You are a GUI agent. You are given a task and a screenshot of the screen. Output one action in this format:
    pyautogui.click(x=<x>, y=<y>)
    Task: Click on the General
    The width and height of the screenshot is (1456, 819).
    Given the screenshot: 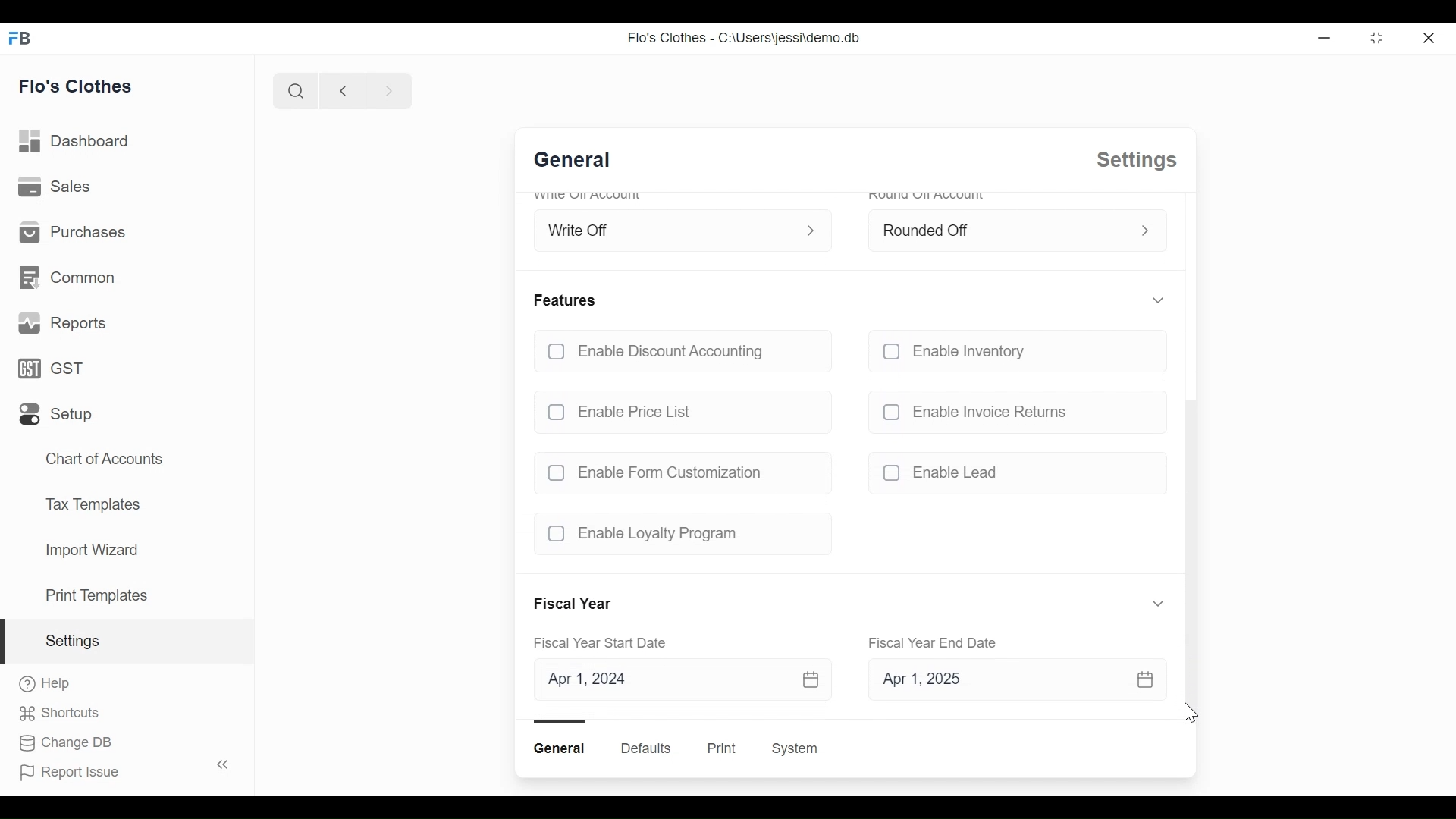 What is the action you would take?
    pyautogui.click(x=580, y=162)
    